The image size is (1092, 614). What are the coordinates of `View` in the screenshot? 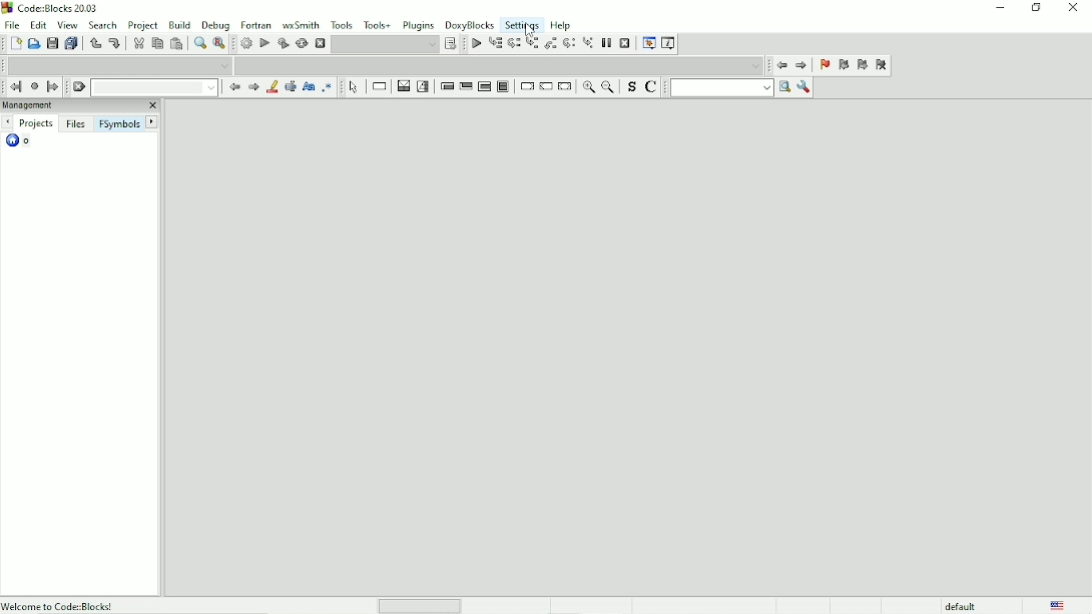 It's located at (68, 25).